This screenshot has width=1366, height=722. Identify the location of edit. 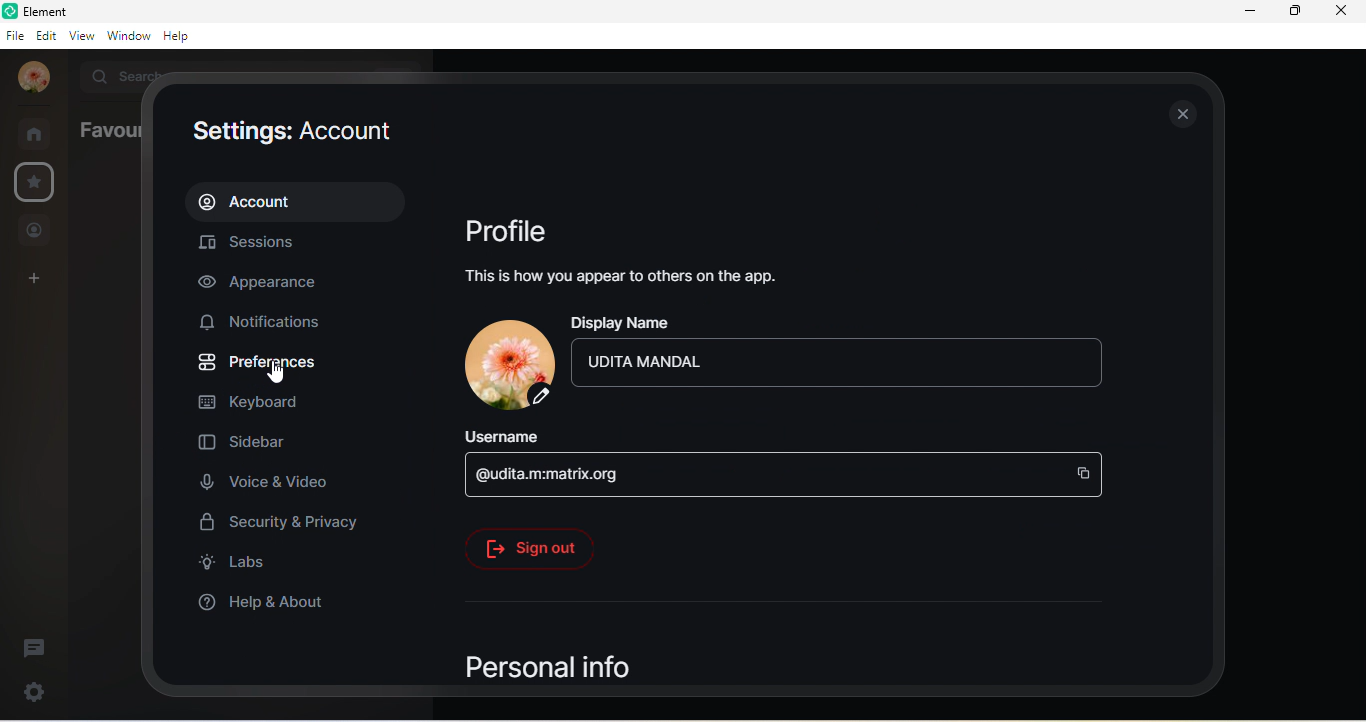
(44, 35).